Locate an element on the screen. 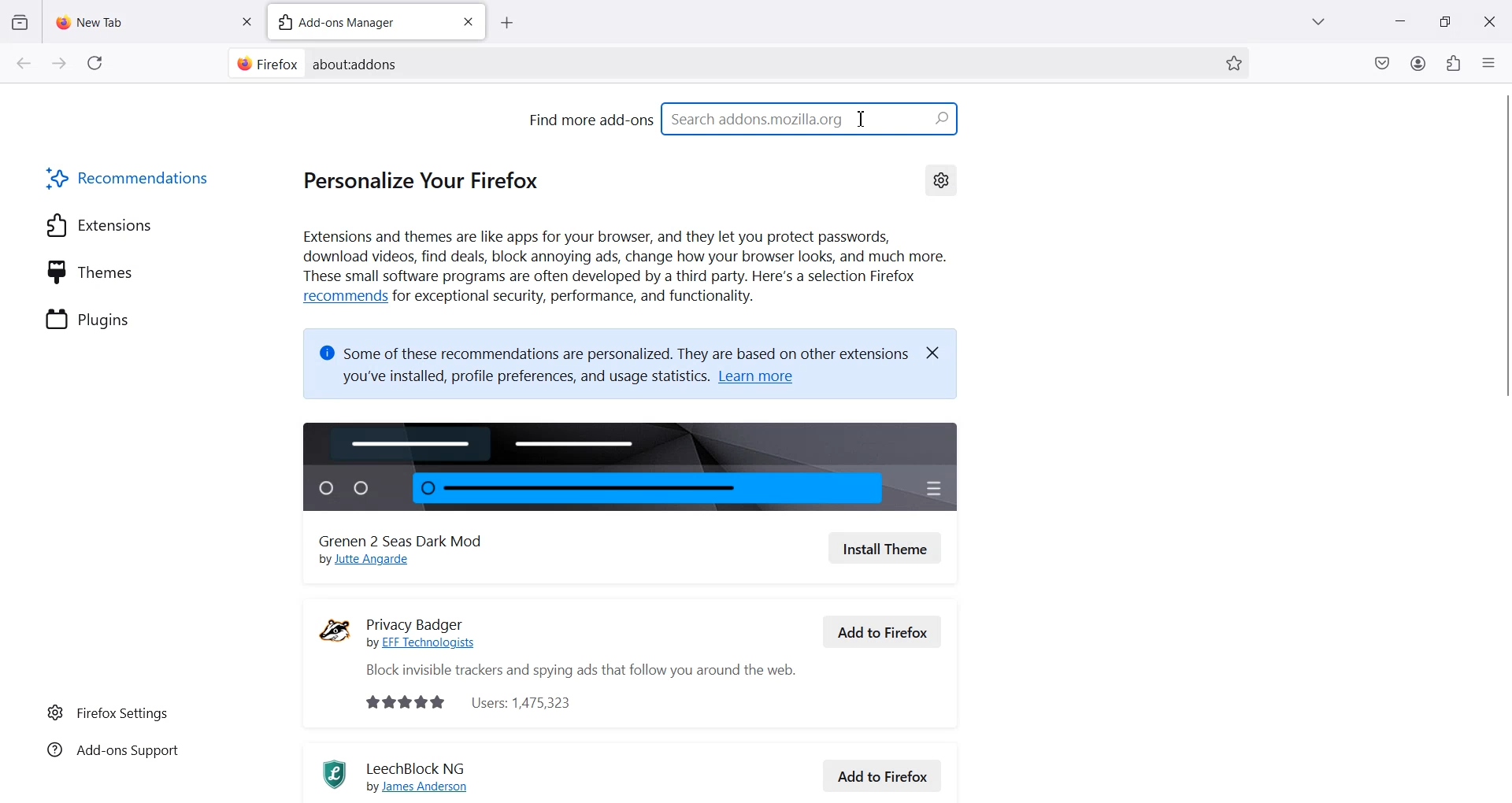 The image size is (1512, 803). Firefox Settings is located at coordinates (108, 712).